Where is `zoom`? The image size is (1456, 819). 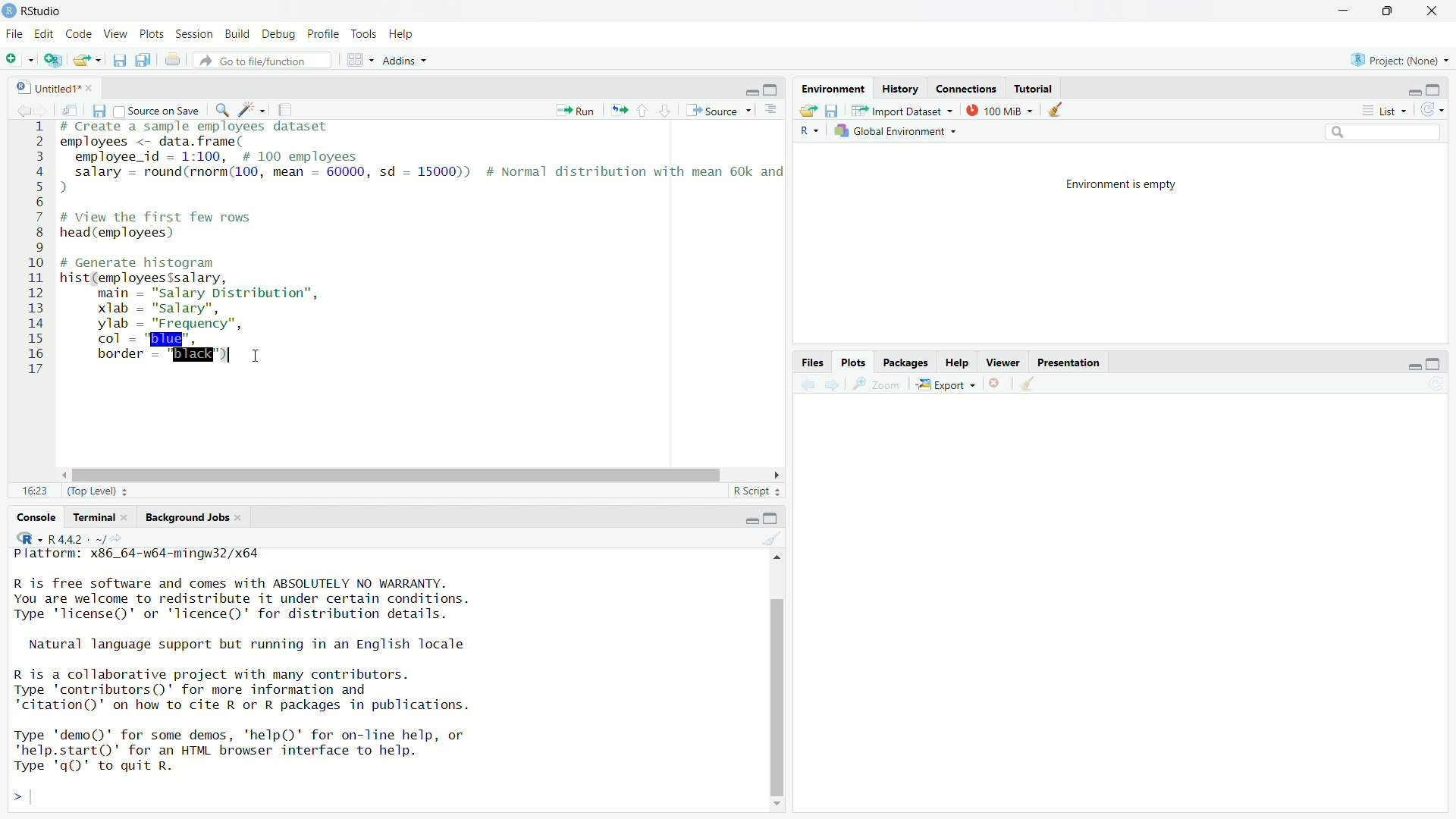 zoom is located at coordinates (877, 384).